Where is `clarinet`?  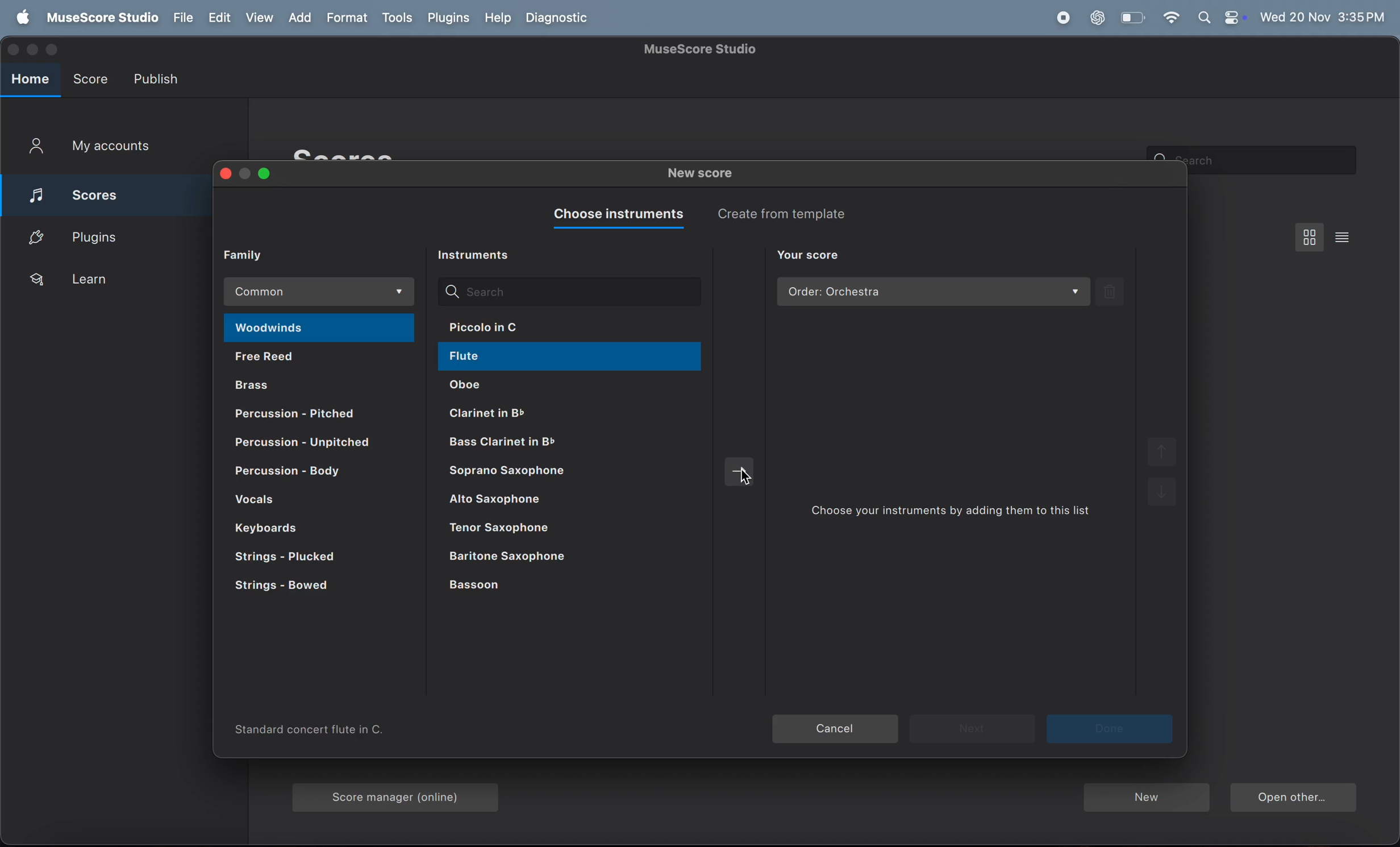 clarinet is located at coordinates (552, 443).